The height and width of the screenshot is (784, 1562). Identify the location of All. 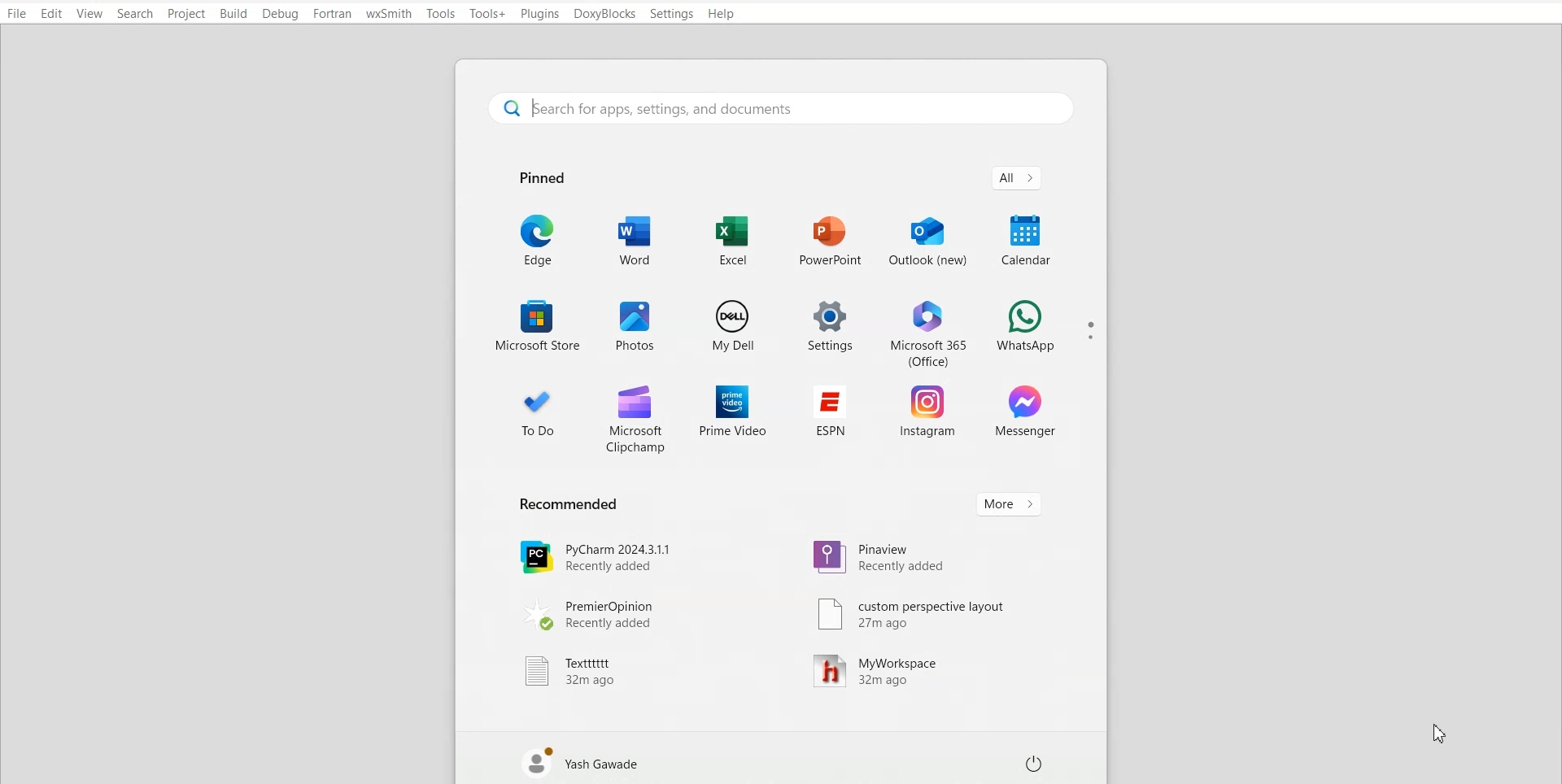
(1018, 178).